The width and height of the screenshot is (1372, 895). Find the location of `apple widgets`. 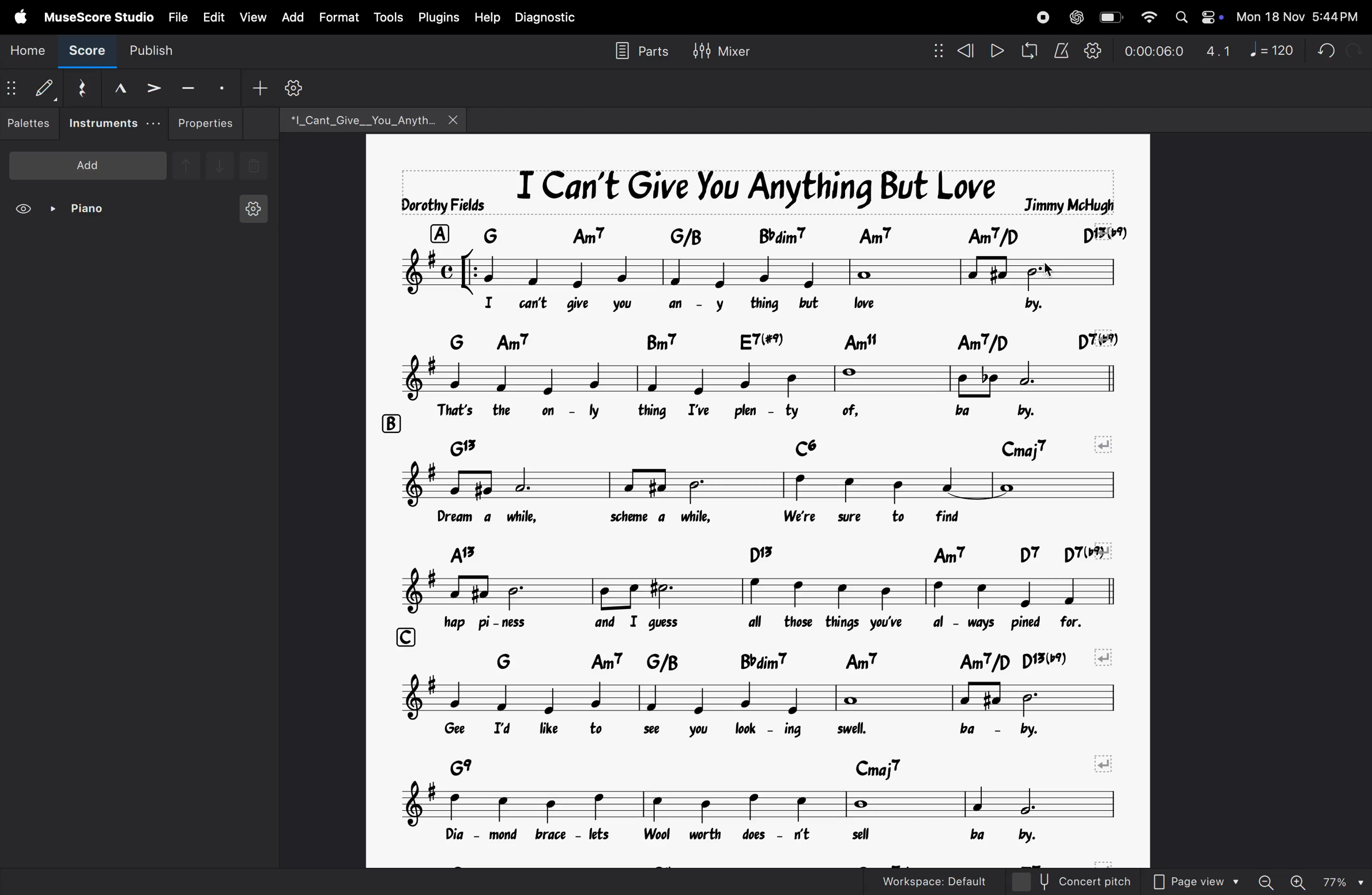

apple widgets is located at coordinates (1196, 17).